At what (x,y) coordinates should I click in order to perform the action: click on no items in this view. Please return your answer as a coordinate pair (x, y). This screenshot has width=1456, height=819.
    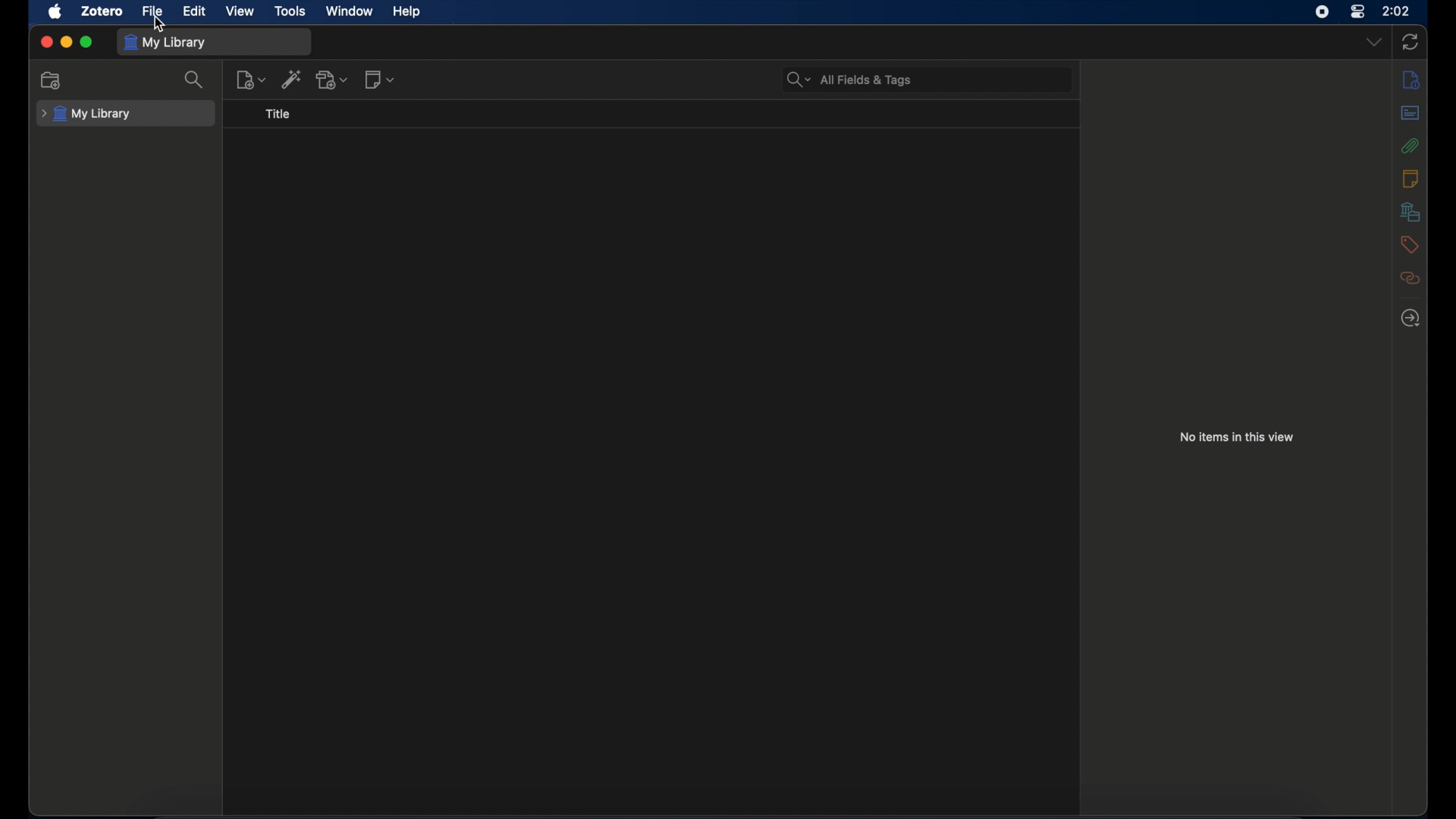
    Looking at the image, I should click on (1237, 437).